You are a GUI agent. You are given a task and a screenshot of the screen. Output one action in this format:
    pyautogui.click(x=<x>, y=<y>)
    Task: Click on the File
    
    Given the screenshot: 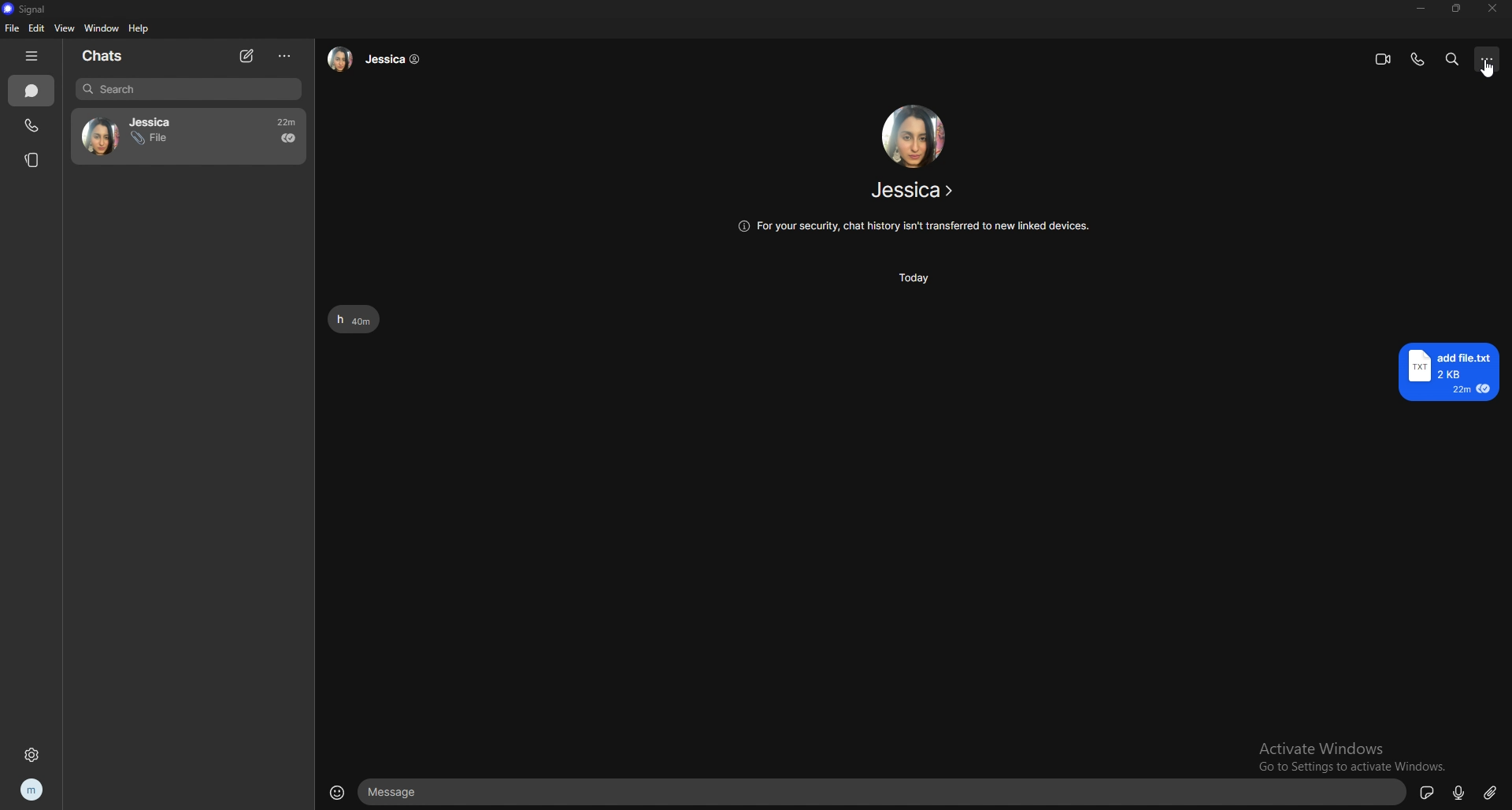 What is the action you would take?
    pyautogui.click(x=149, y=140)
    